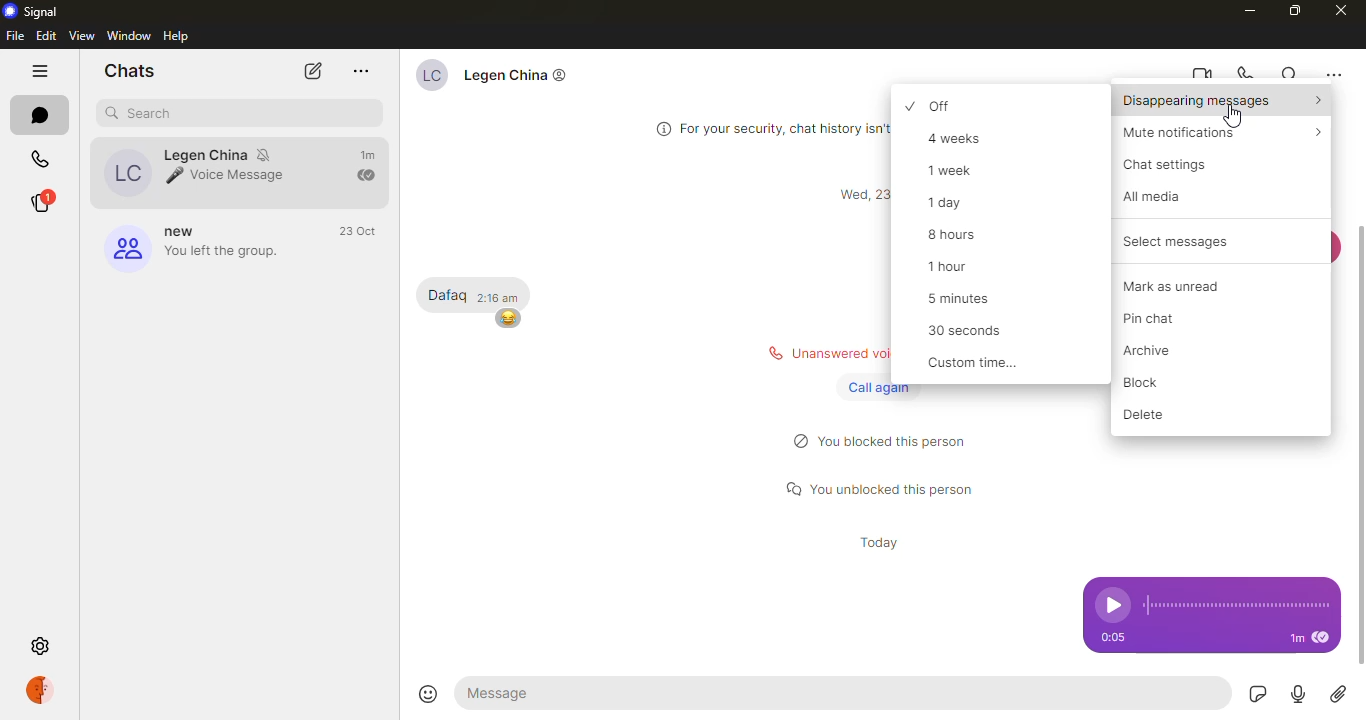  What do you see at coordinates (1107, 605) in the screenshot?
I see `play` at bounding box center [1107, 605].